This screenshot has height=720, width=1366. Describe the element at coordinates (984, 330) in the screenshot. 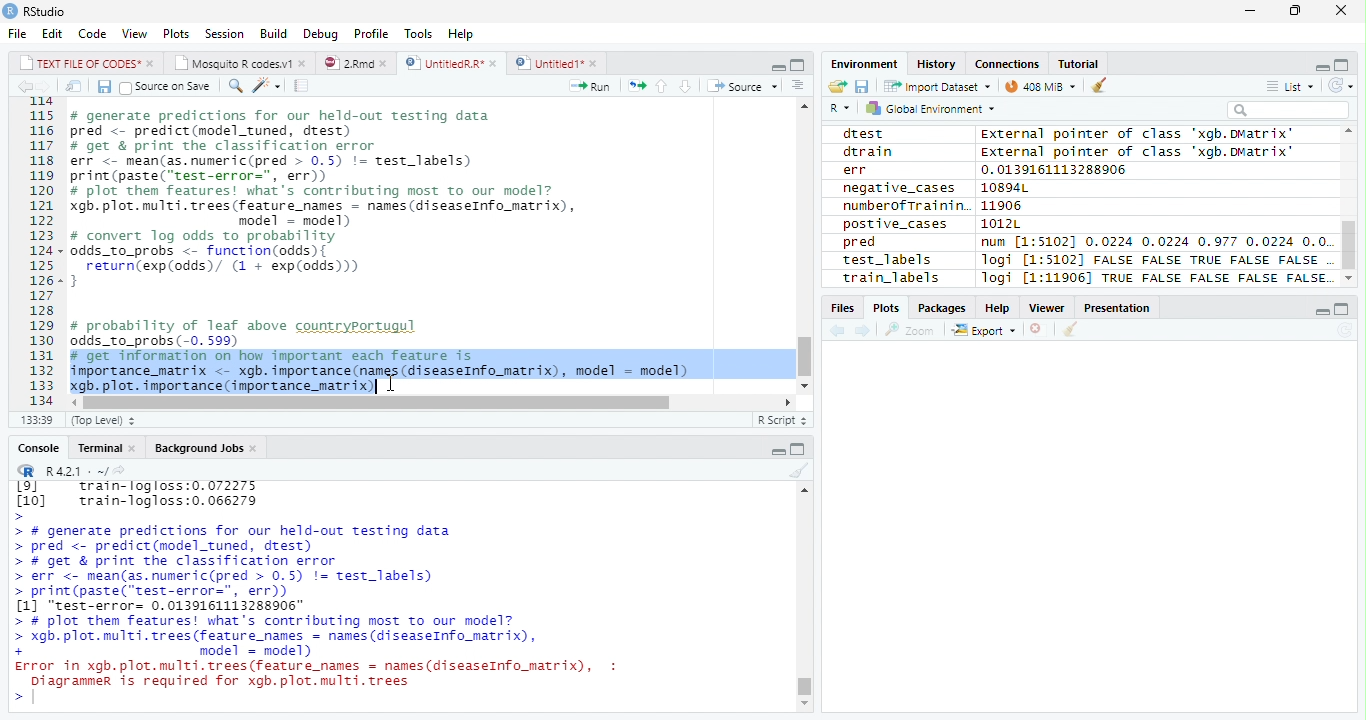

I see `Export` at that location.